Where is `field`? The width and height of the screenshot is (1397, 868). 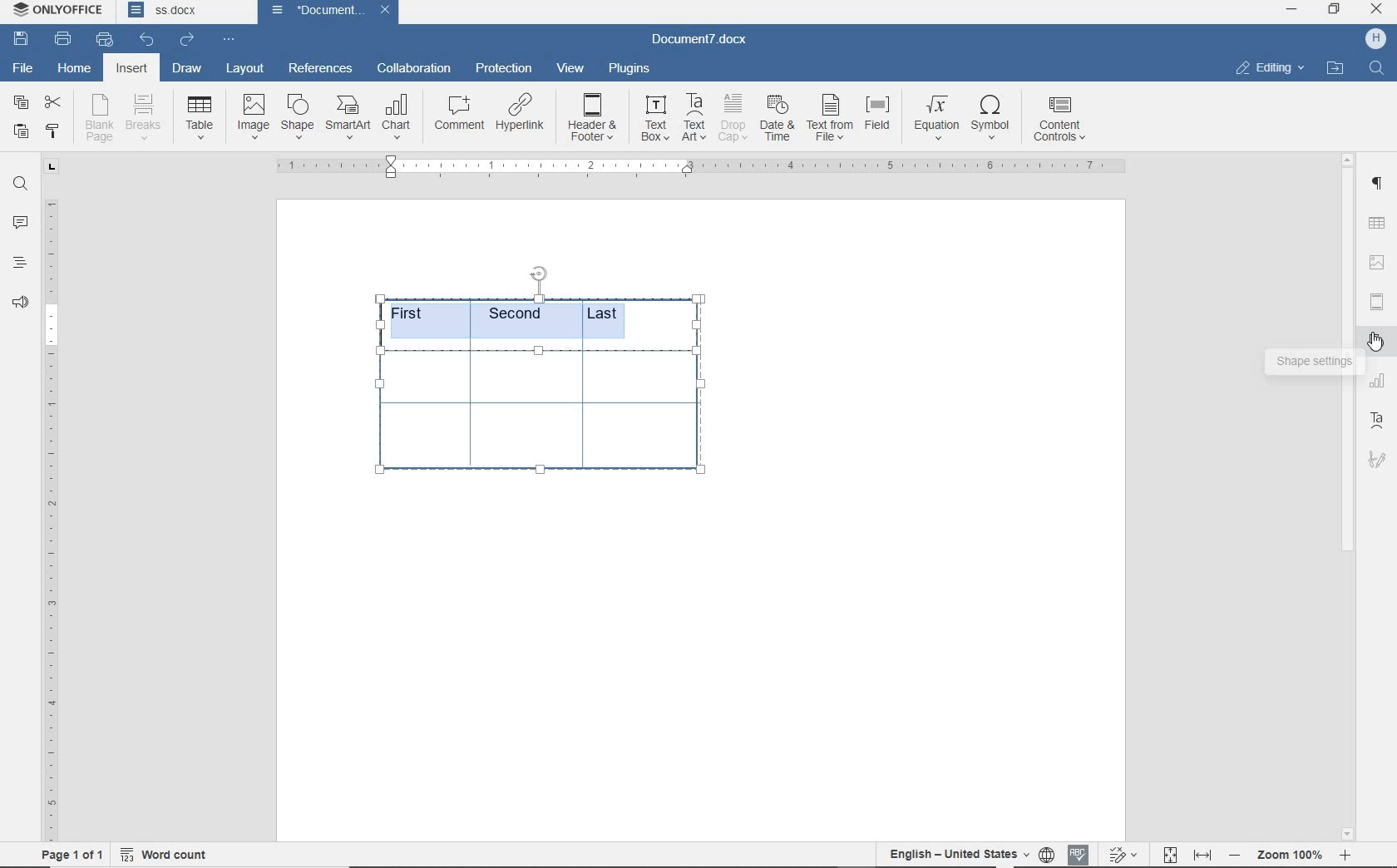 field is located at coordinates (880, 118).